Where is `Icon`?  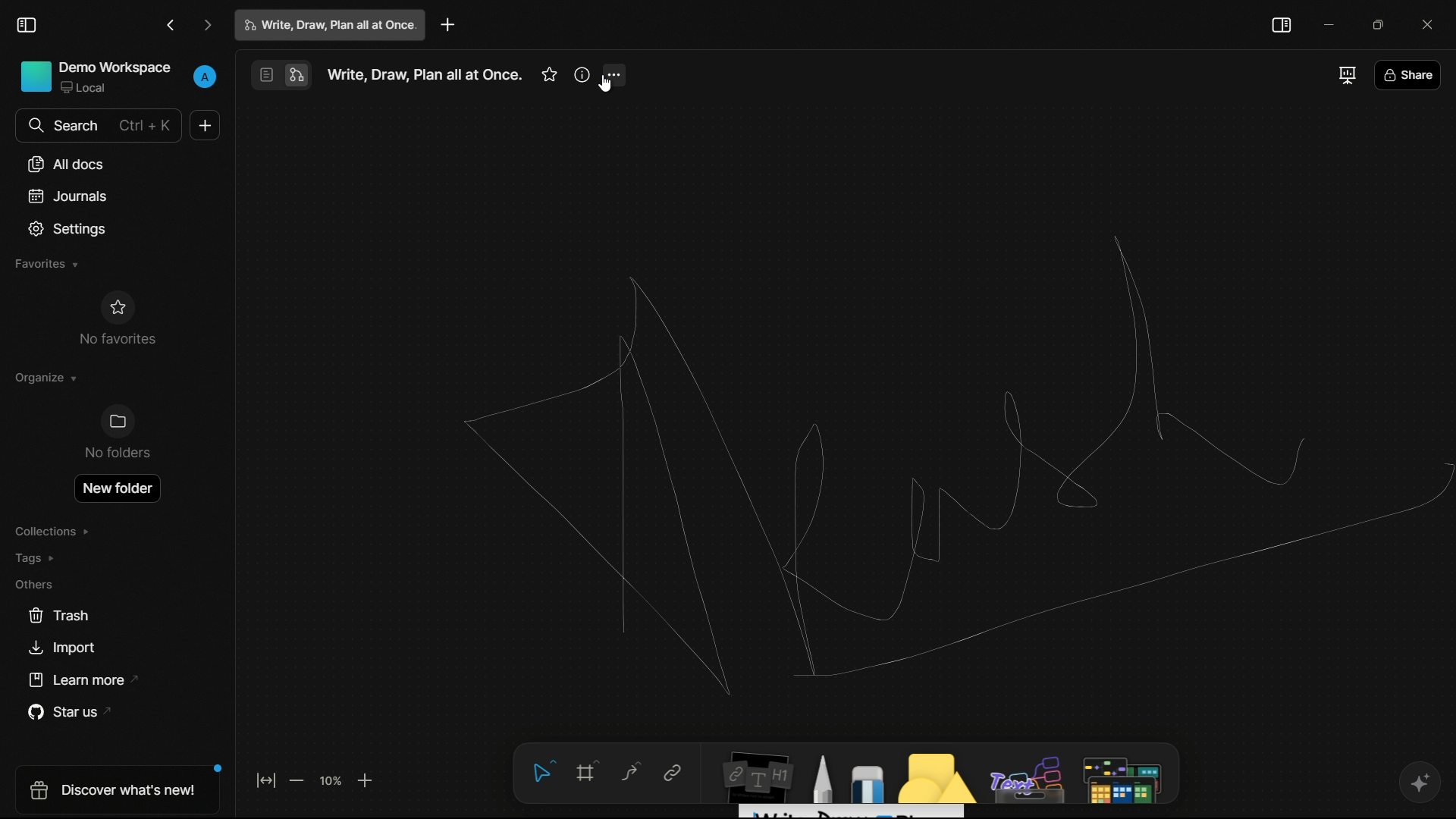 Icon is located at coordinates (36, 77).